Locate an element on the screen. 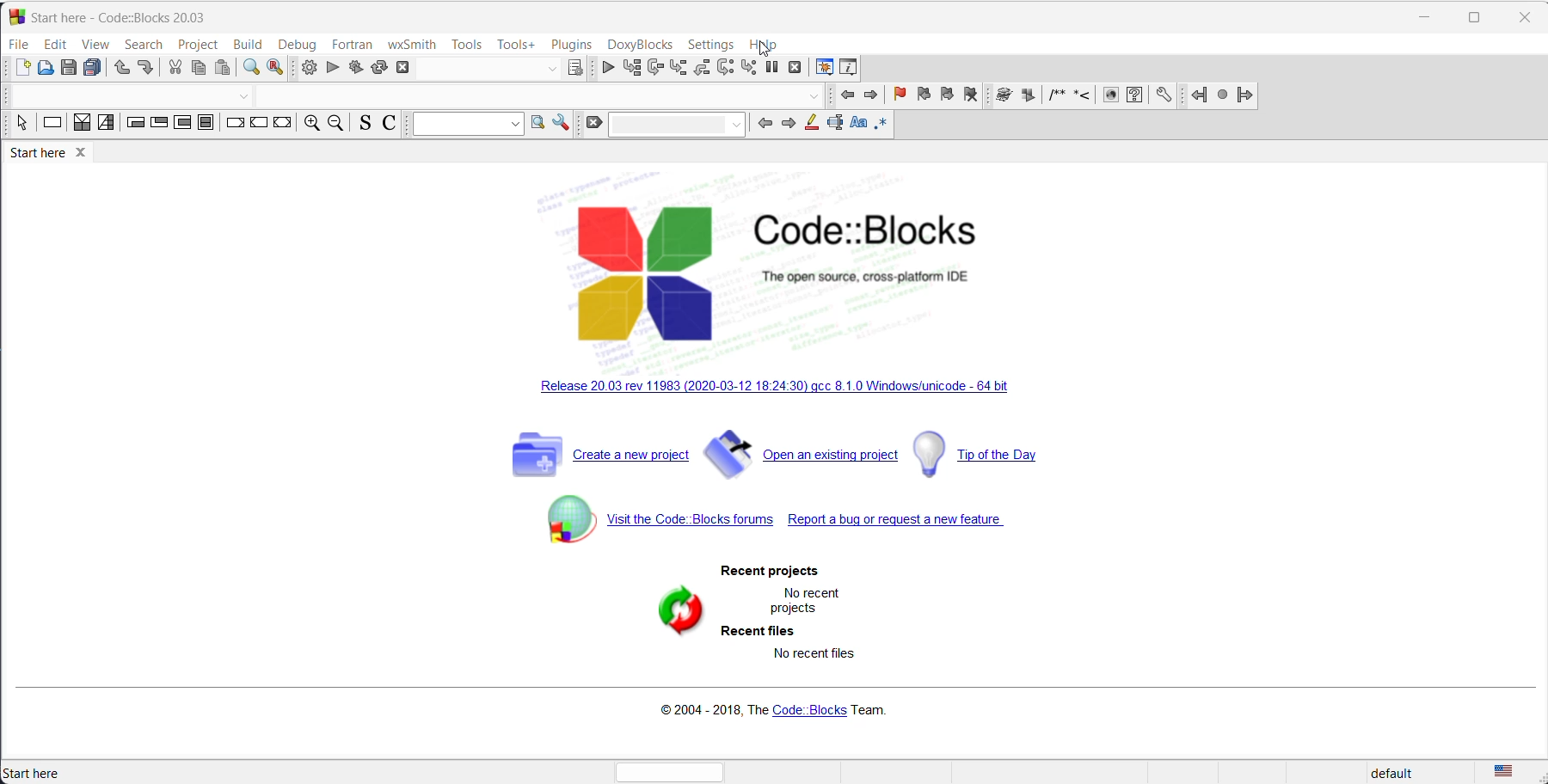 This screenshot has height=784, width=1548. target dialog is located at coordinates (577, 67).